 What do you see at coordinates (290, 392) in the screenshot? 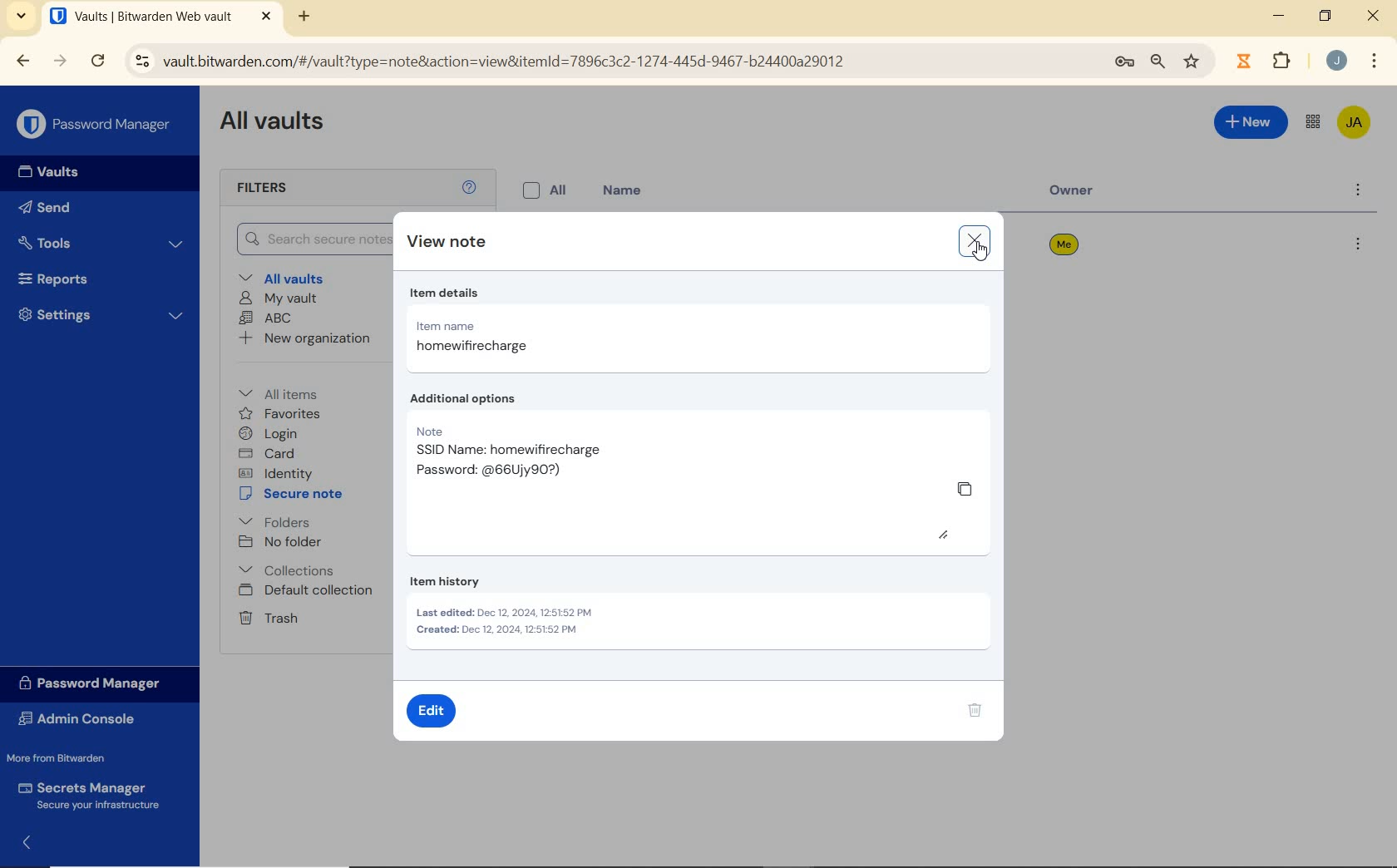
I see `All items` at bounding box center [290, 392].